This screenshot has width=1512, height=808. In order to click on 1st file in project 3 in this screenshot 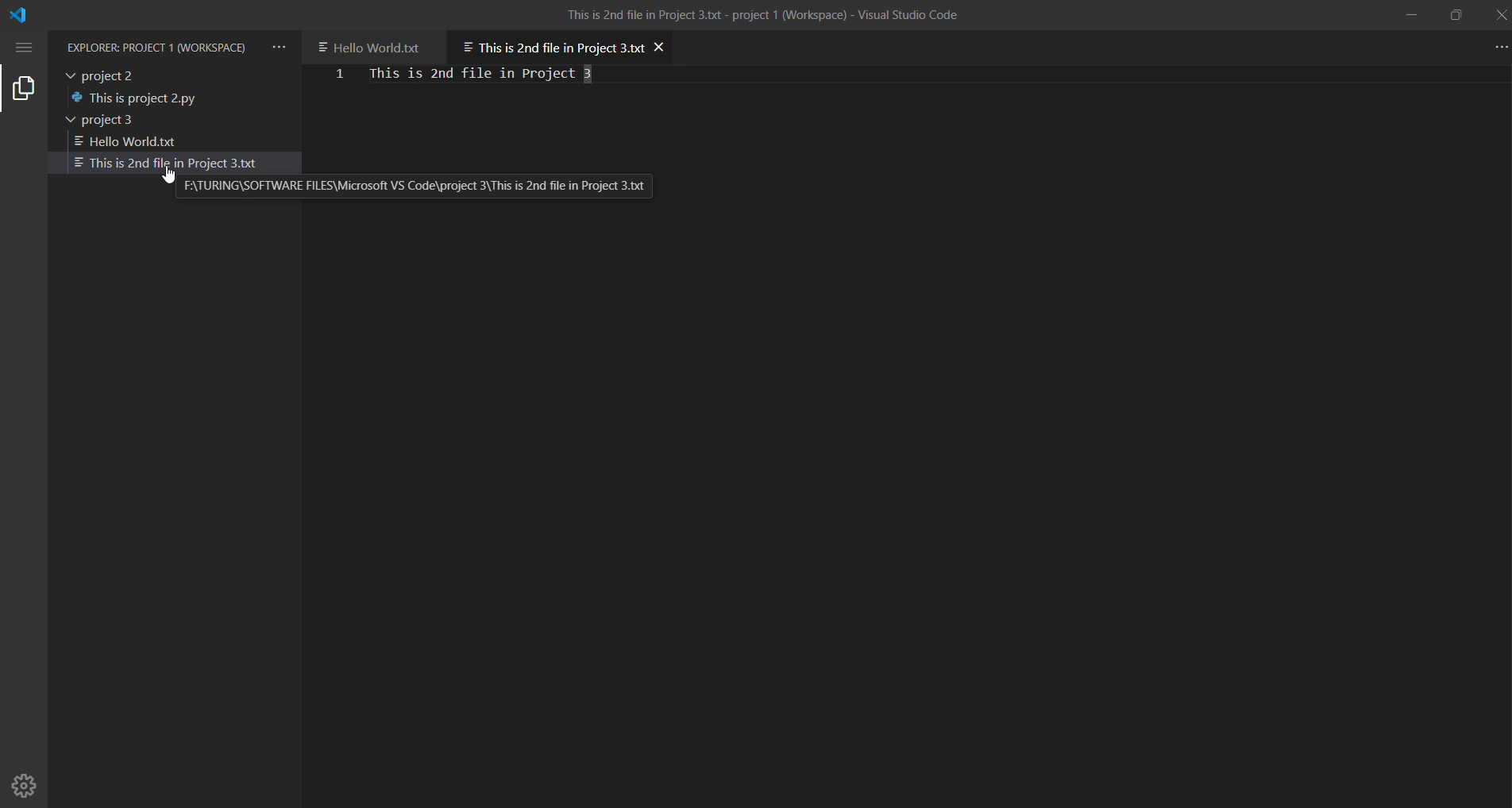, I will do `click(171, 142)`.